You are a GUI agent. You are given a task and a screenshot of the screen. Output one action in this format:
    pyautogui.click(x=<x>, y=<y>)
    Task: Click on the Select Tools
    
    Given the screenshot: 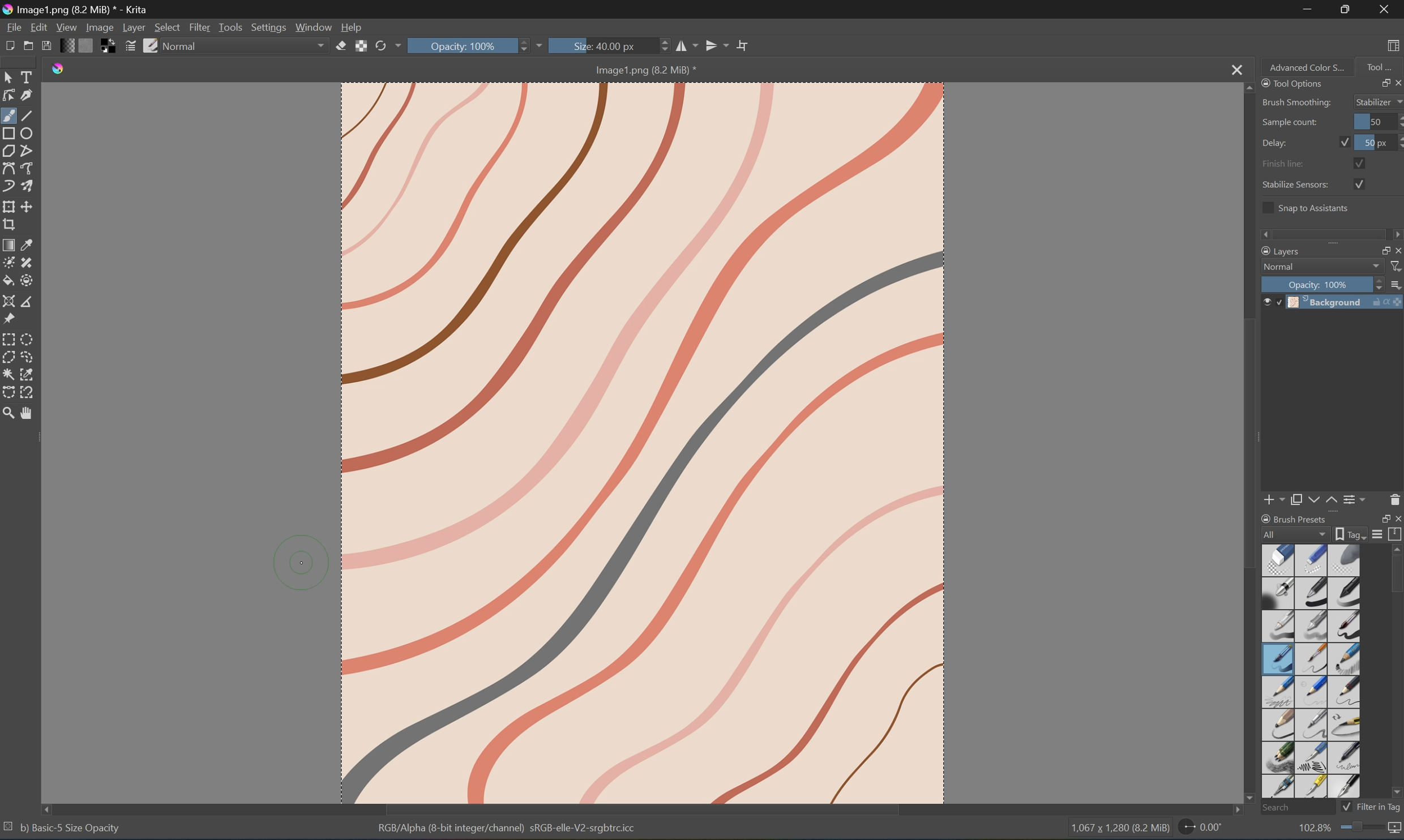 What is the action you would take?
    pyautogui.click(x=28, y=76)
    